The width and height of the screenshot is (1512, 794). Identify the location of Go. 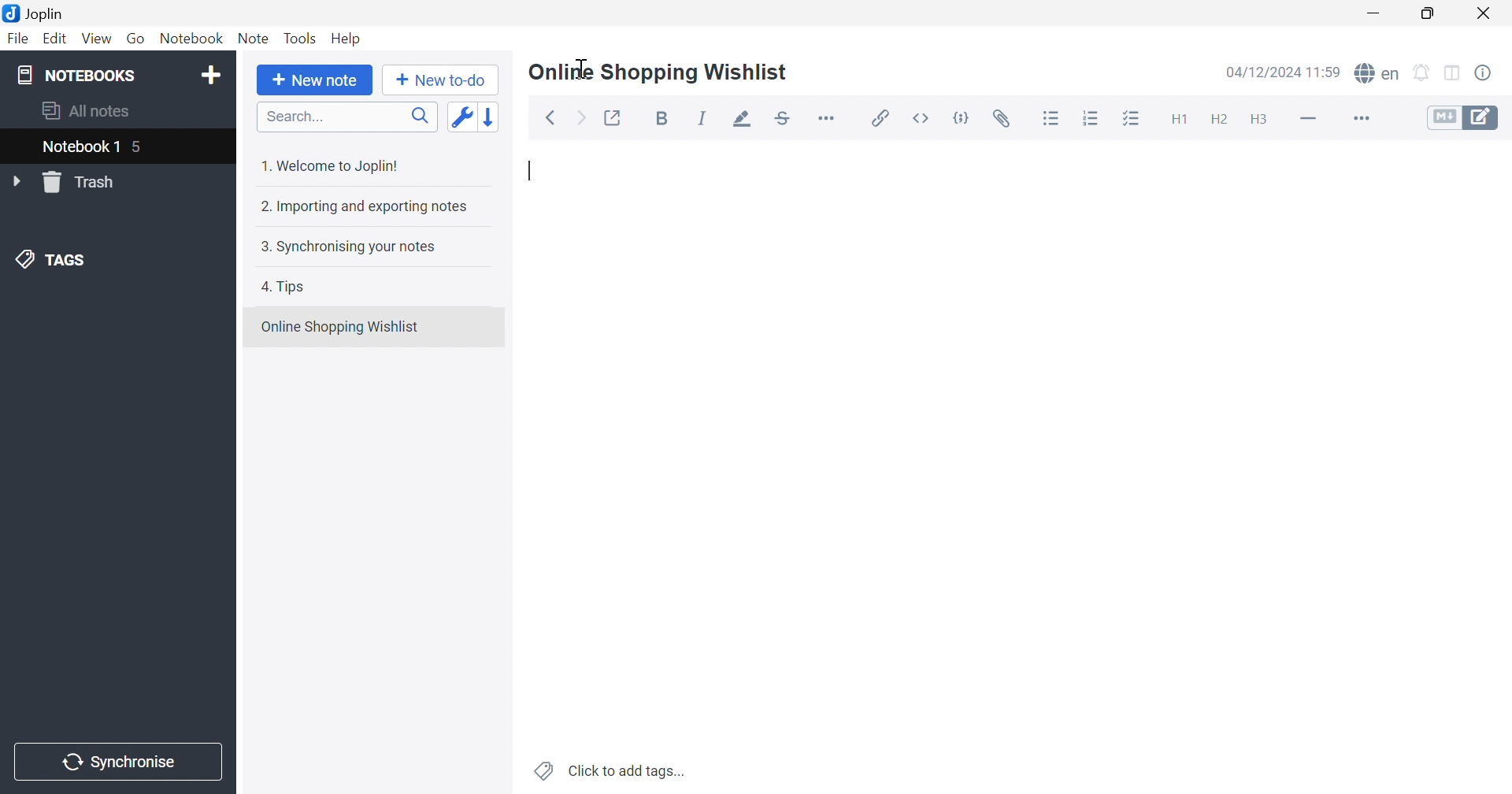
(133, 36).